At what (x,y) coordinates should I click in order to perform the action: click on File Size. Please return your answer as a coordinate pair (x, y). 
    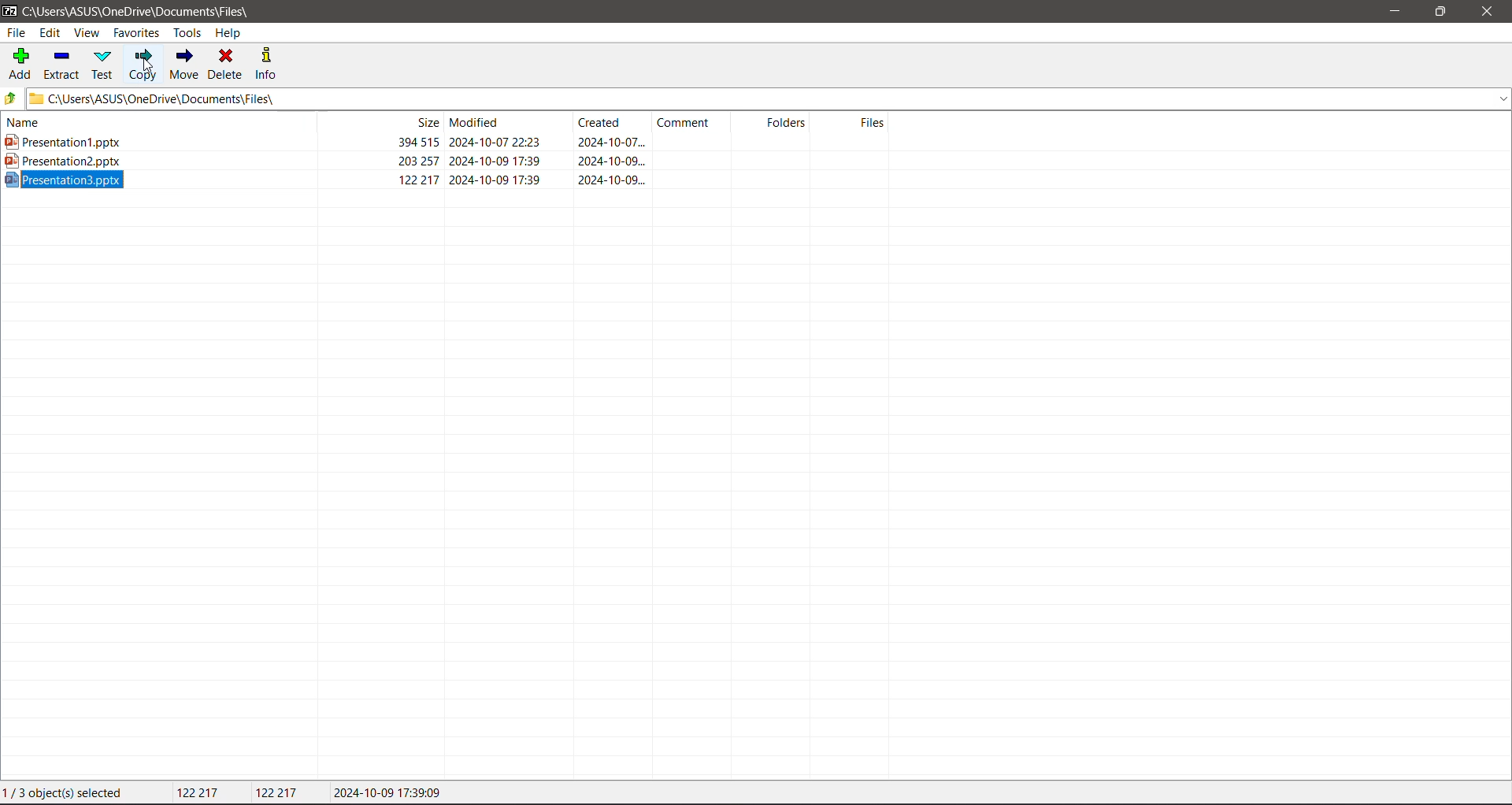
    Looking at the image, I should click on (378, 122).